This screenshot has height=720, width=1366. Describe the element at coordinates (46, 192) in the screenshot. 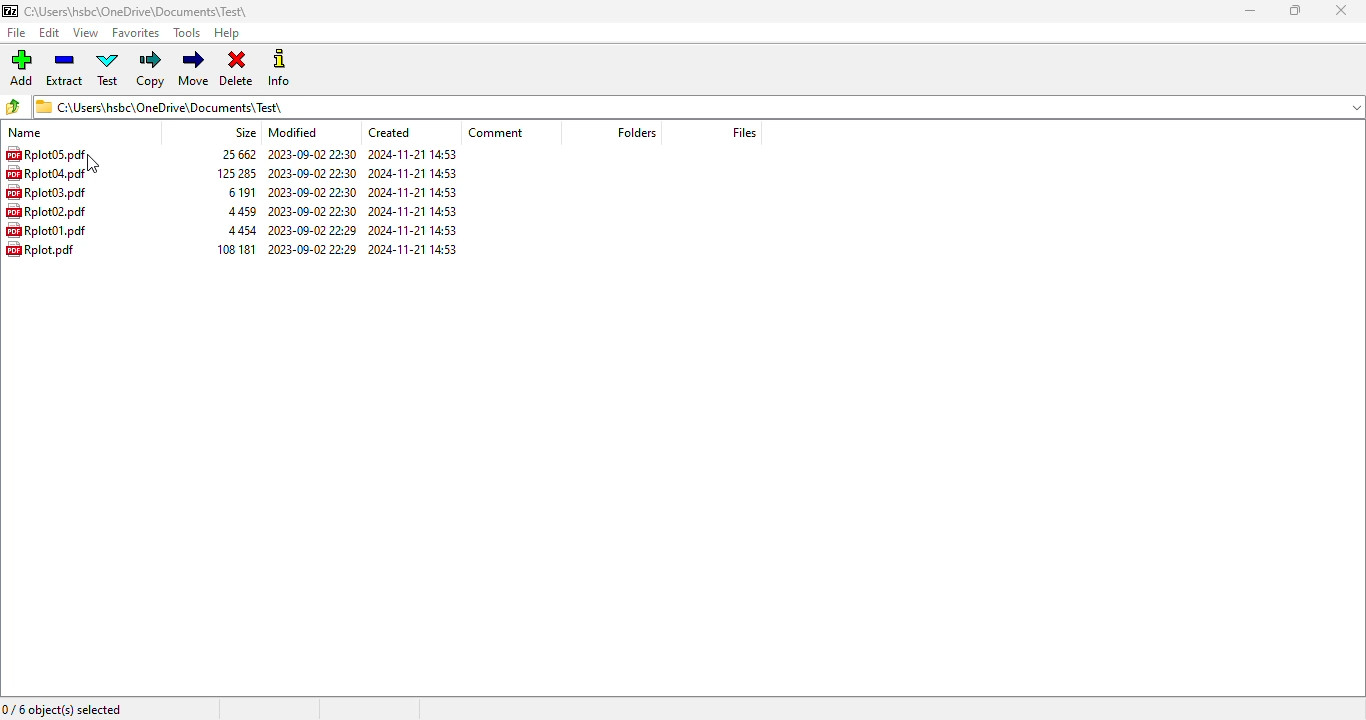

I see `rplot03` at that location.